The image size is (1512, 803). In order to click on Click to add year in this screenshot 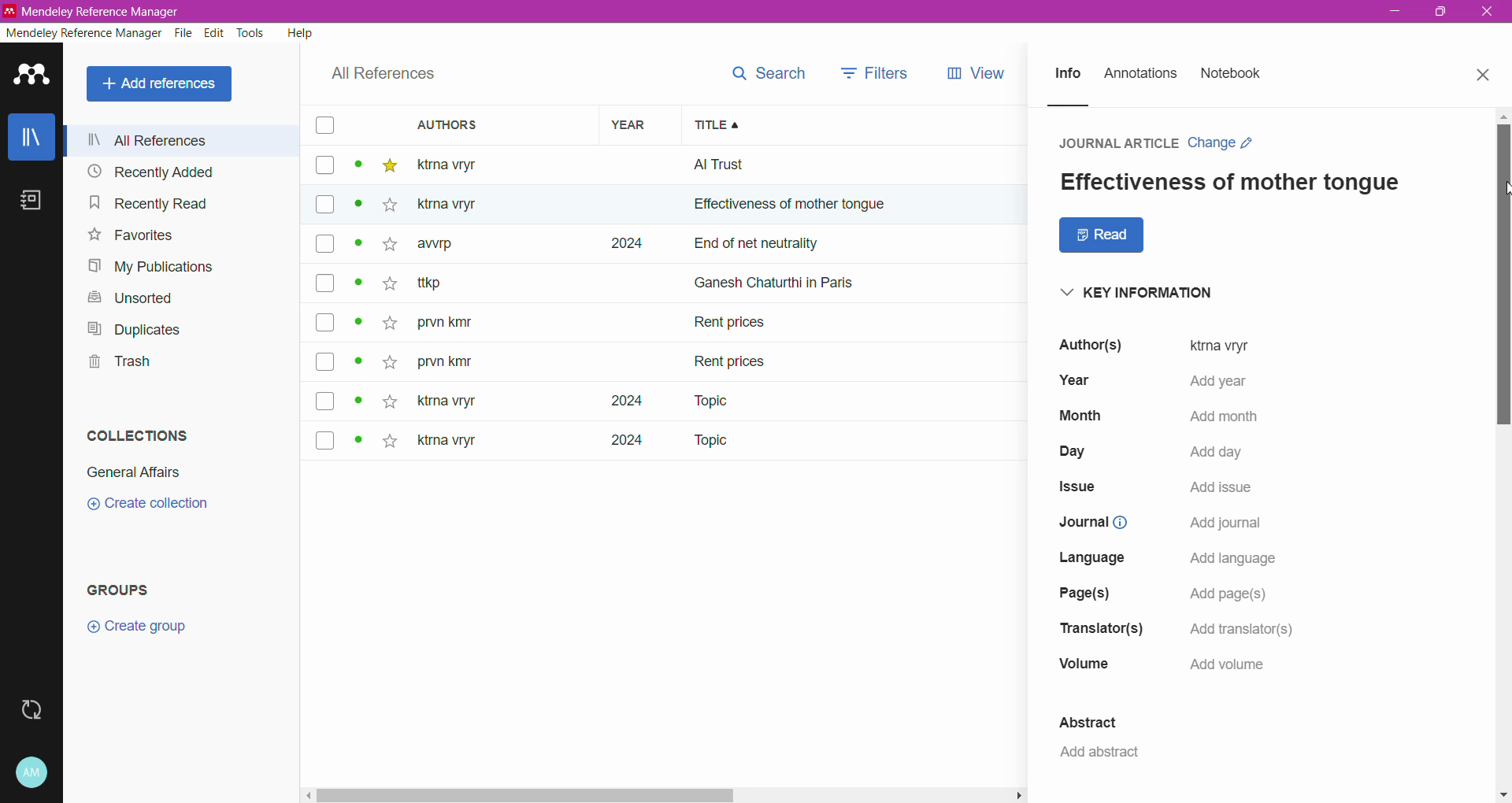, I will do `click(1211, 381)`.